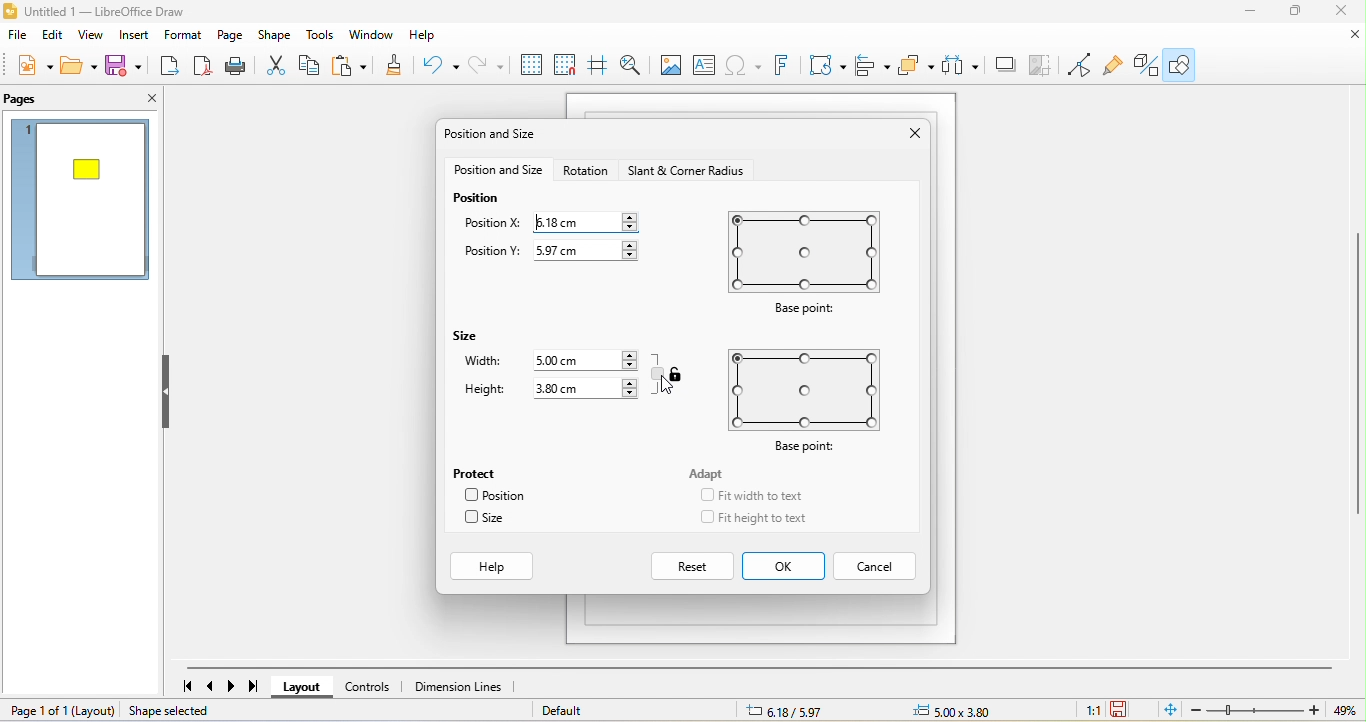 The image size is (1366, 722). What do you see at coordinates (258, 687) in the screenshot?
I see `last page` at bounding box center [258, 687].